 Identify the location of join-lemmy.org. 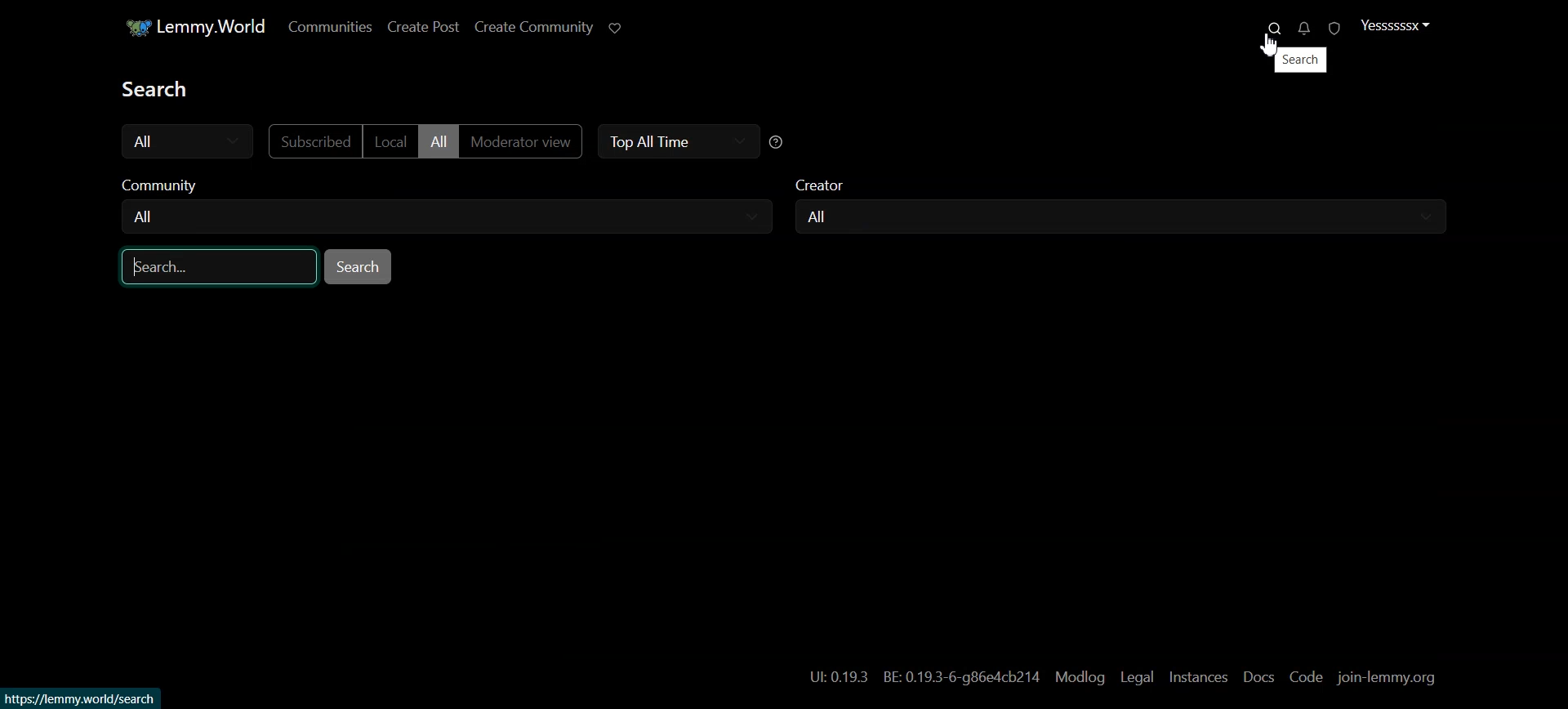
(1388, 678).